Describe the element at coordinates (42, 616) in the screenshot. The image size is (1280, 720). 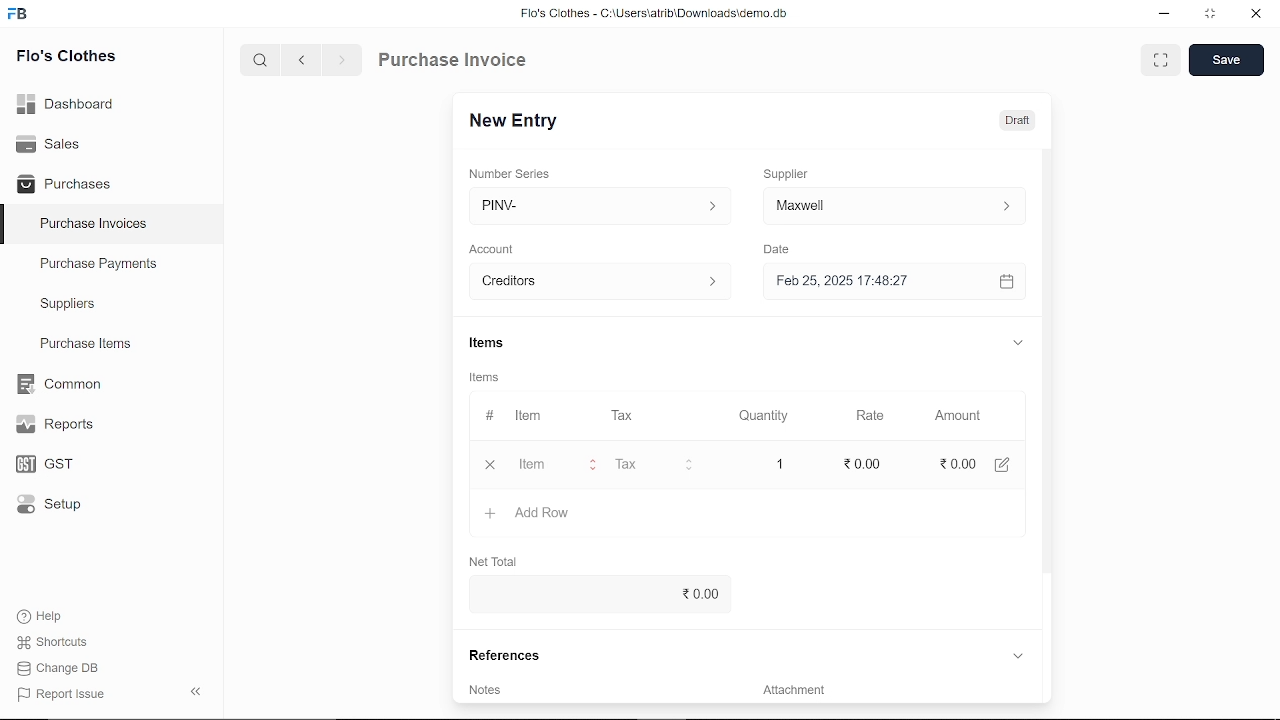
I see `Help` at that location.